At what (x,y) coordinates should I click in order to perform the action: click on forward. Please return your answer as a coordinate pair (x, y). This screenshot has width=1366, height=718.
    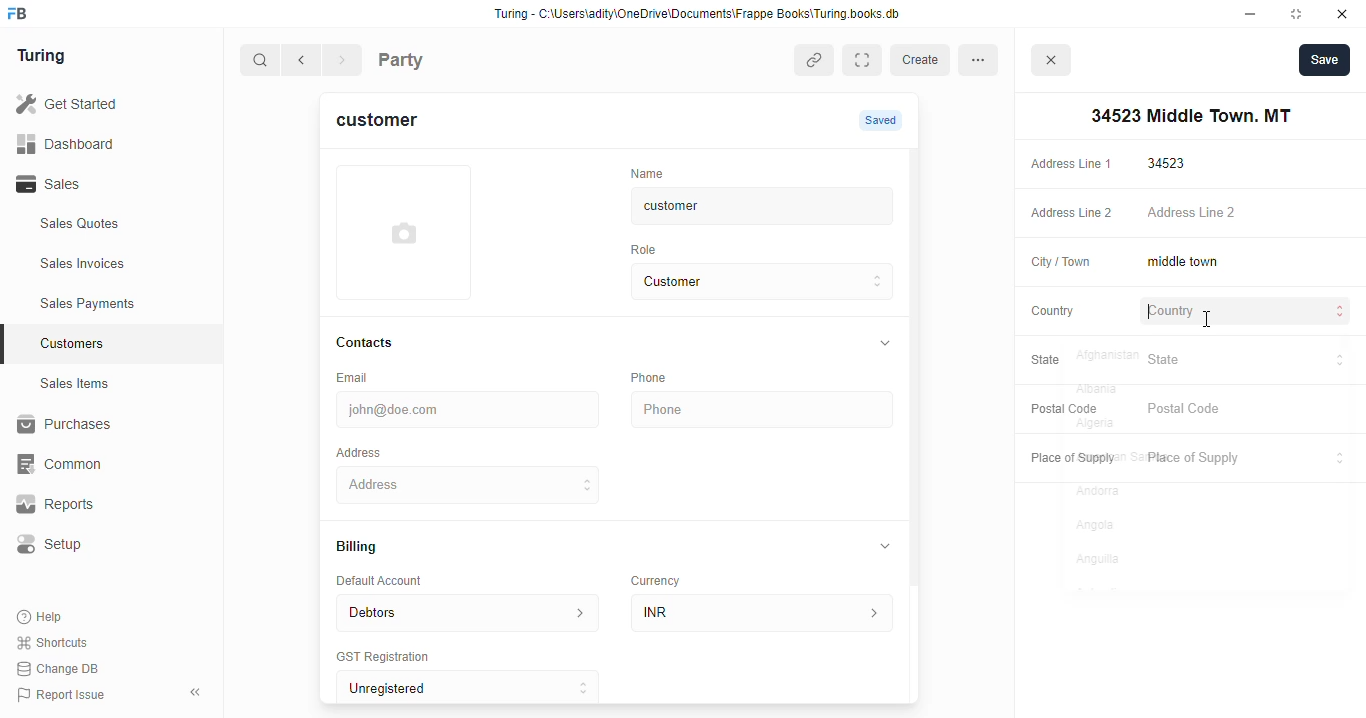
    Looking at the image, I should click on (344, 62).